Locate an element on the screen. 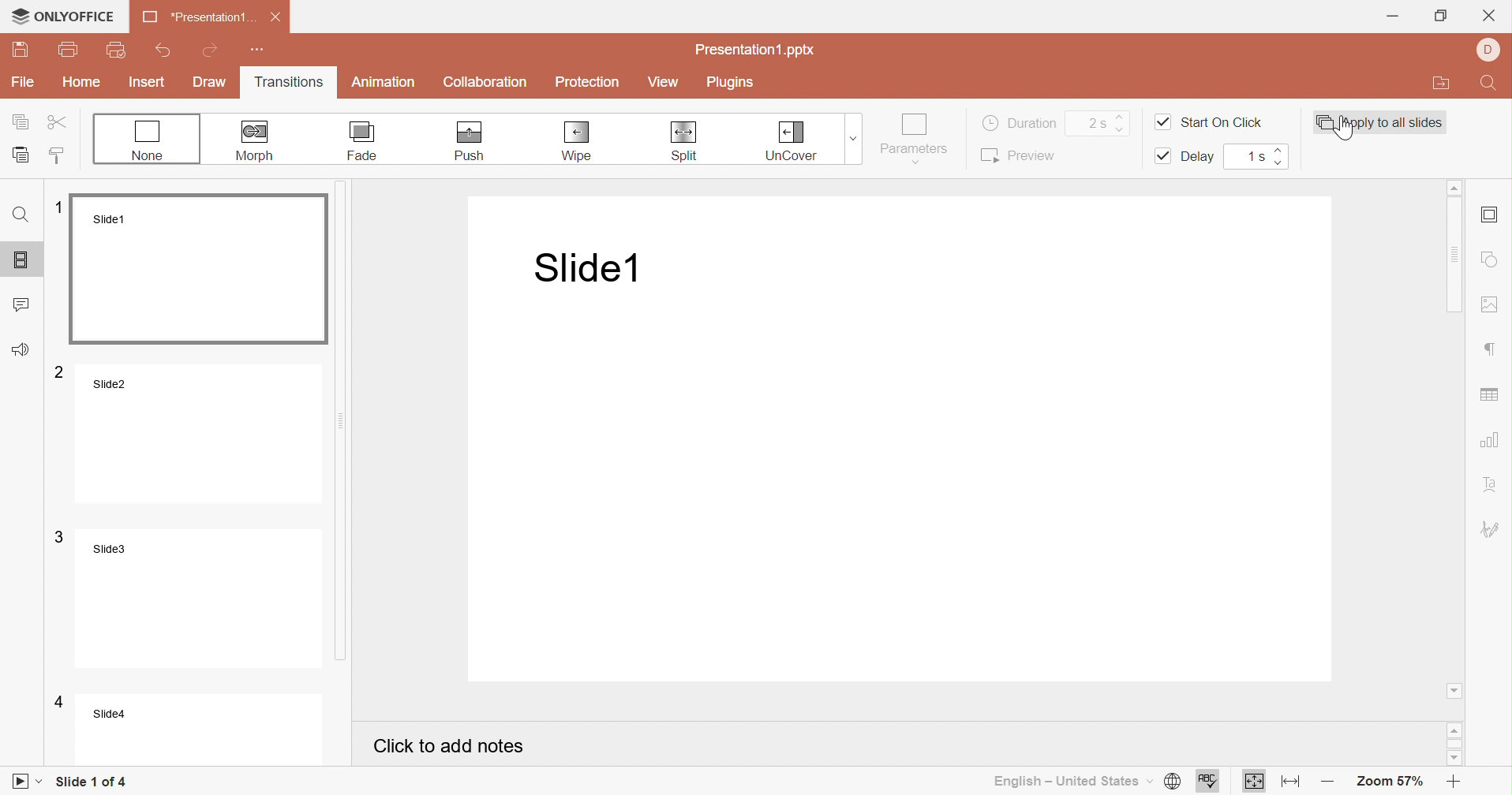  Scroll bar is located at coordinates (1456, 435).